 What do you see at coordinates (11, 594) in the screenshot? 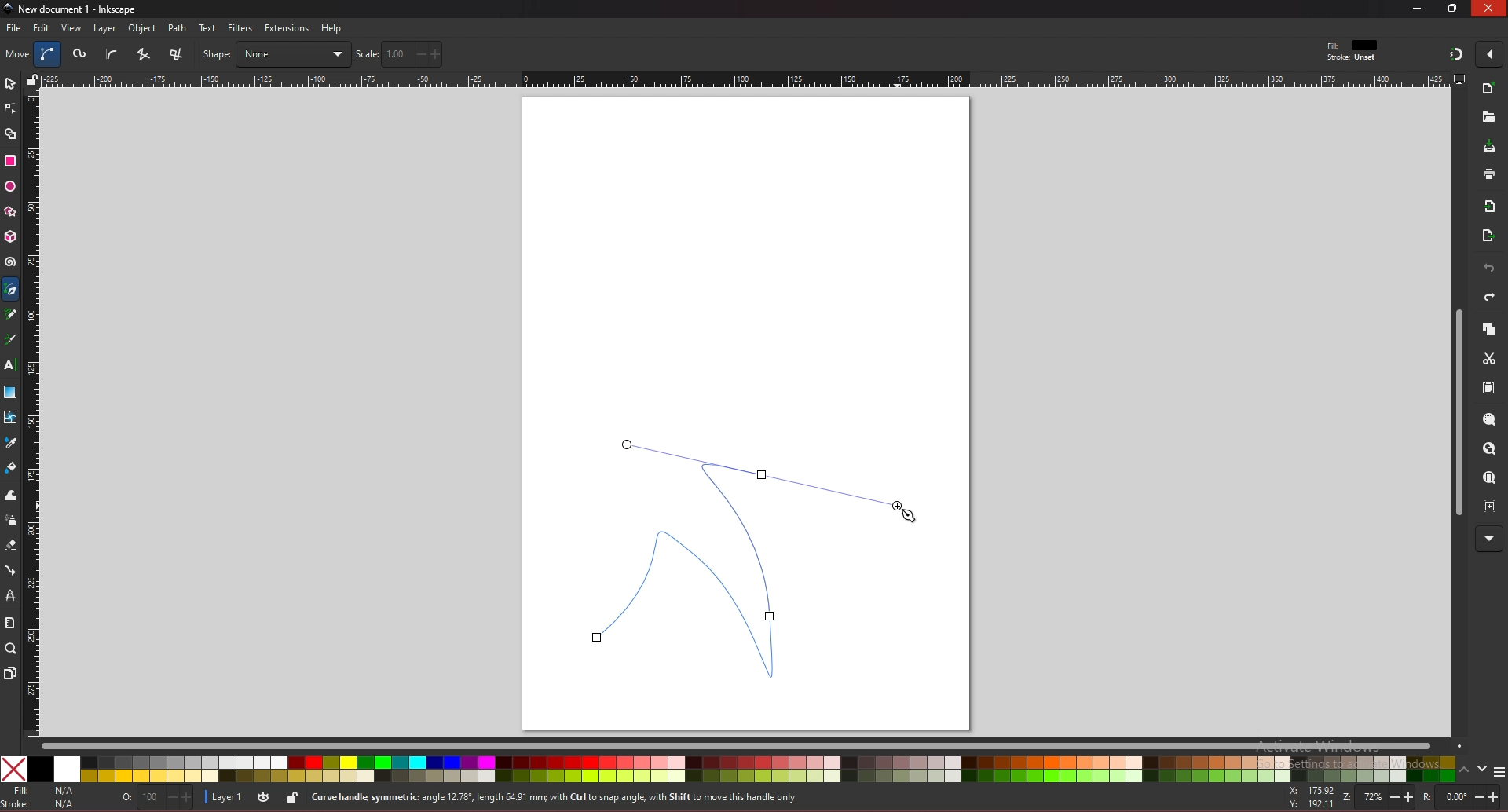
I see `lpe` at bounding box center [11, 594].